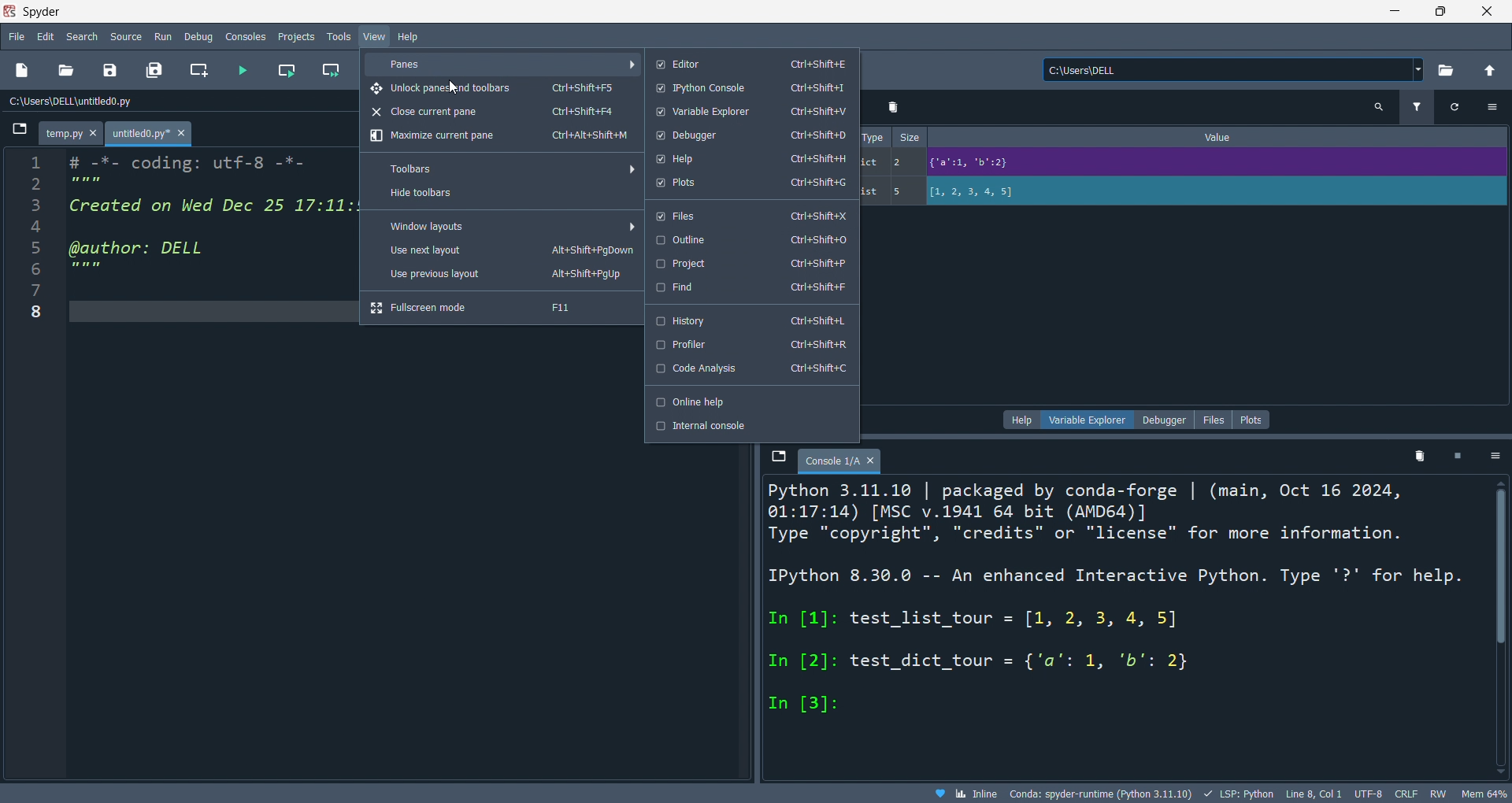 The height and width of the screenshot is (803, 1512). Describe the element at coordinates (1441, 10) in the screenshot. I see `maximize` at that location.